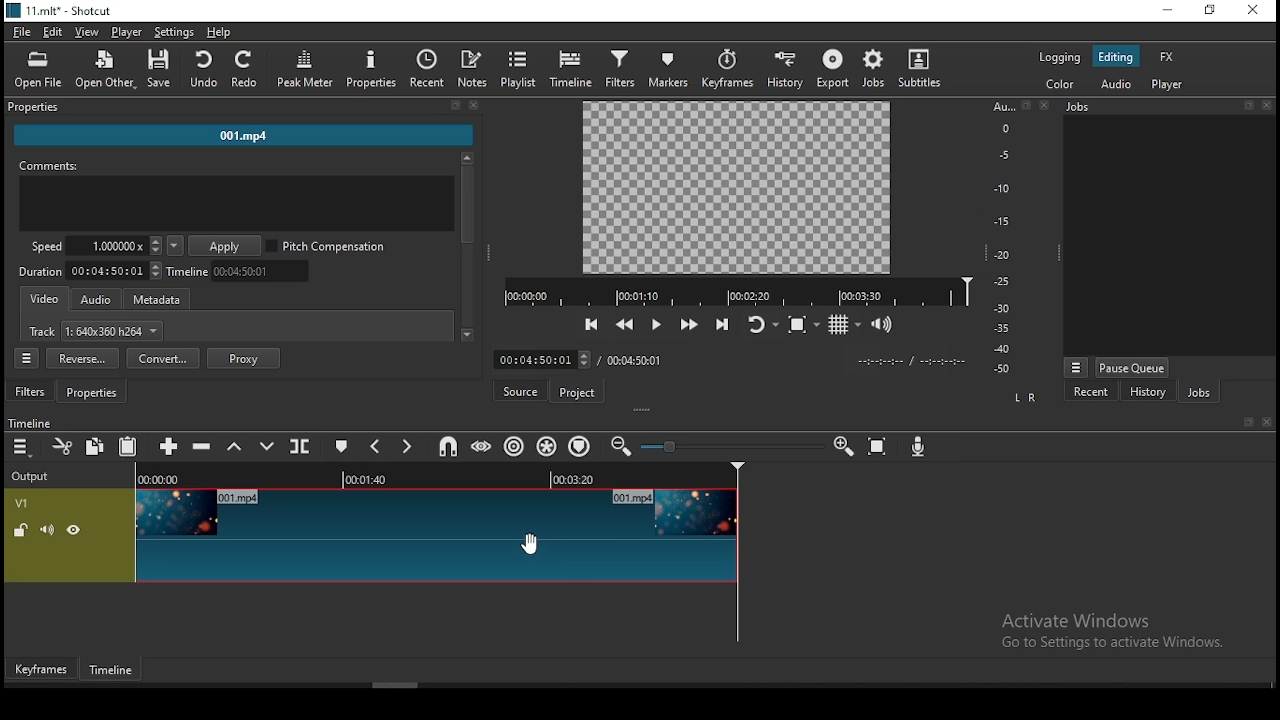 The width and height of the screenshot is (1280, 720). What do you see at coordinates (1246, 422) in the screenshot?
I see `bookmark` at bounding box center [1246, 422].